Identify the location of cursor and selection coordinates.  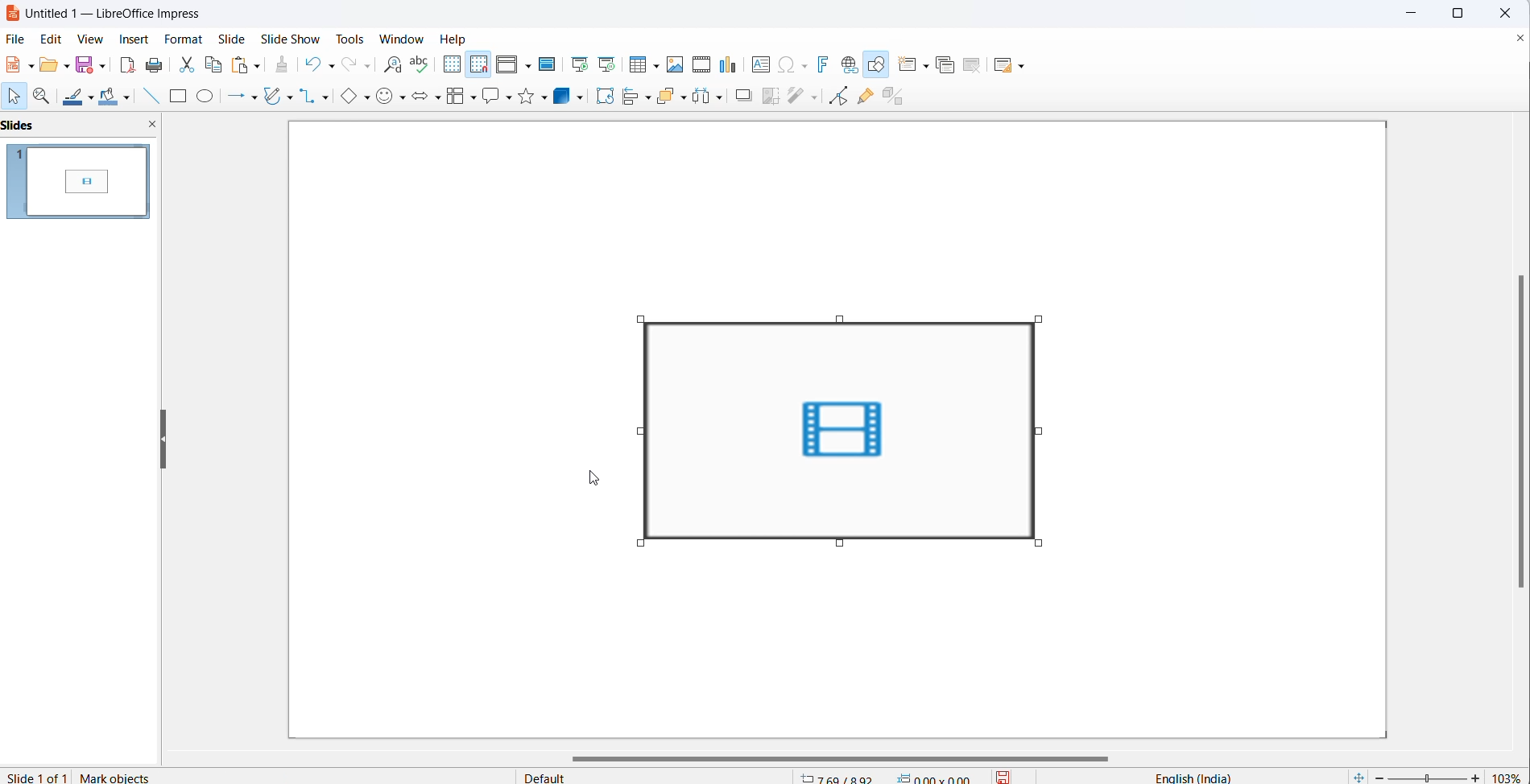
(889, 774).